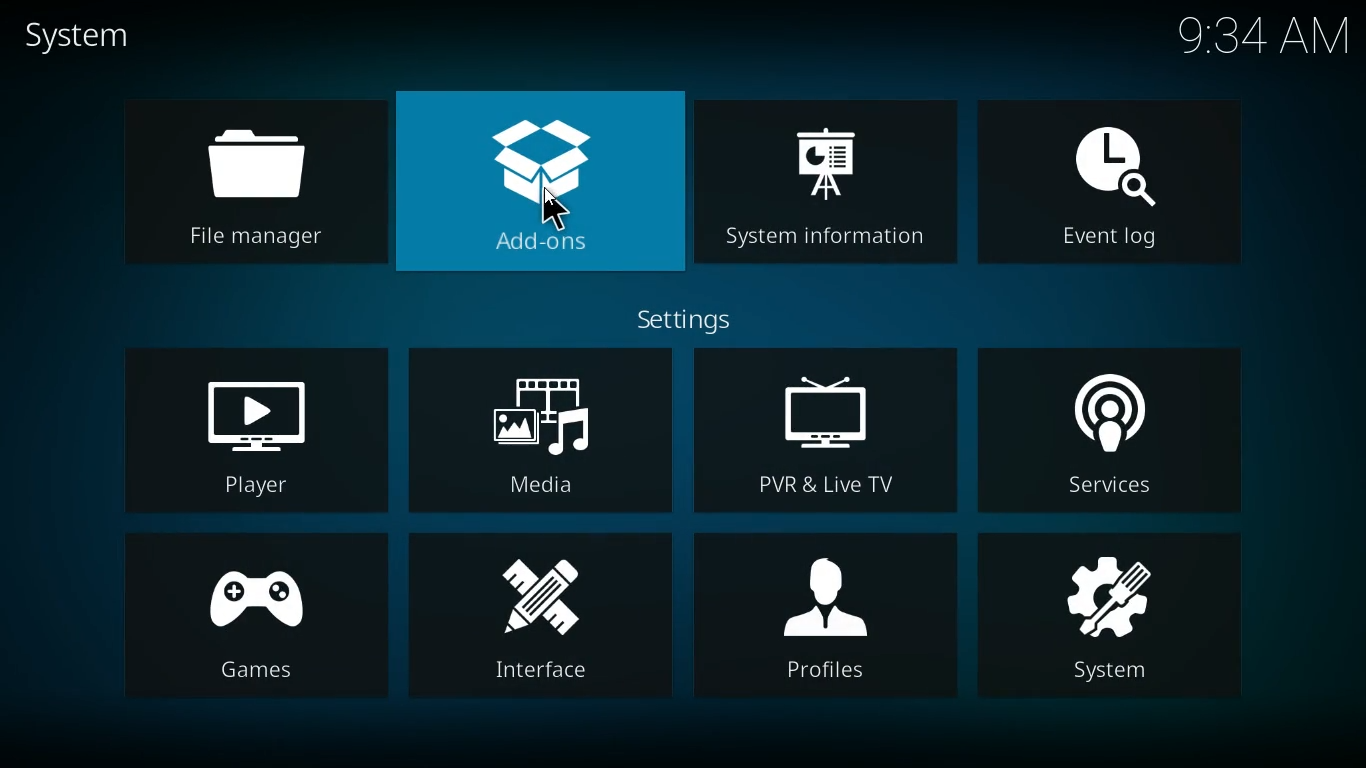 The height and width of the screenshot is (768, 1366). What do you see at coordinates (825, 192) in the screenshot?
I see `system information` at bounding box center [825, 192].